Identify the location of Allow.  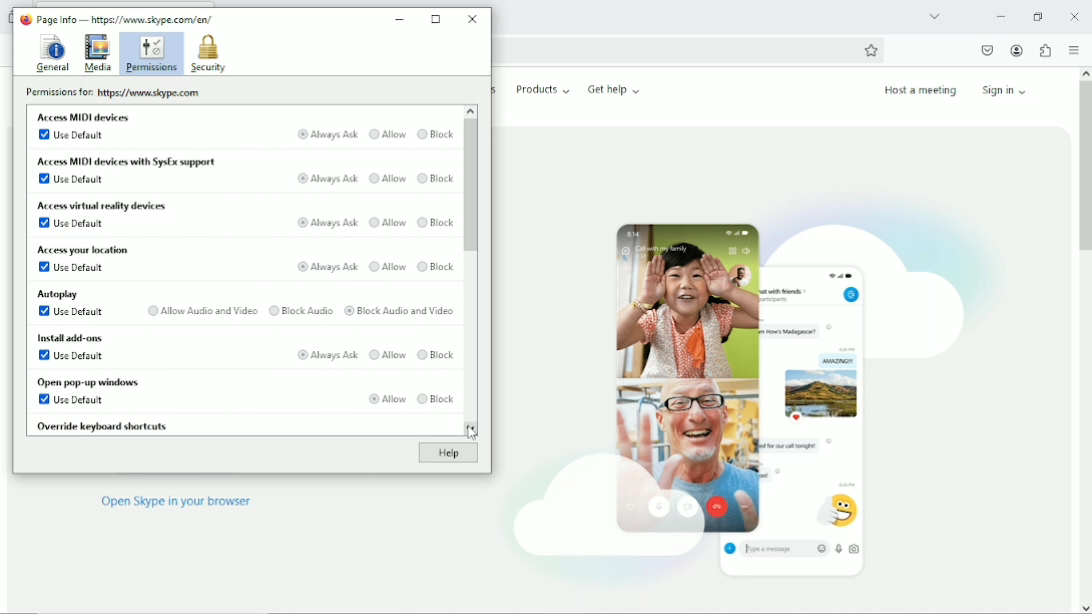
(387, 265).